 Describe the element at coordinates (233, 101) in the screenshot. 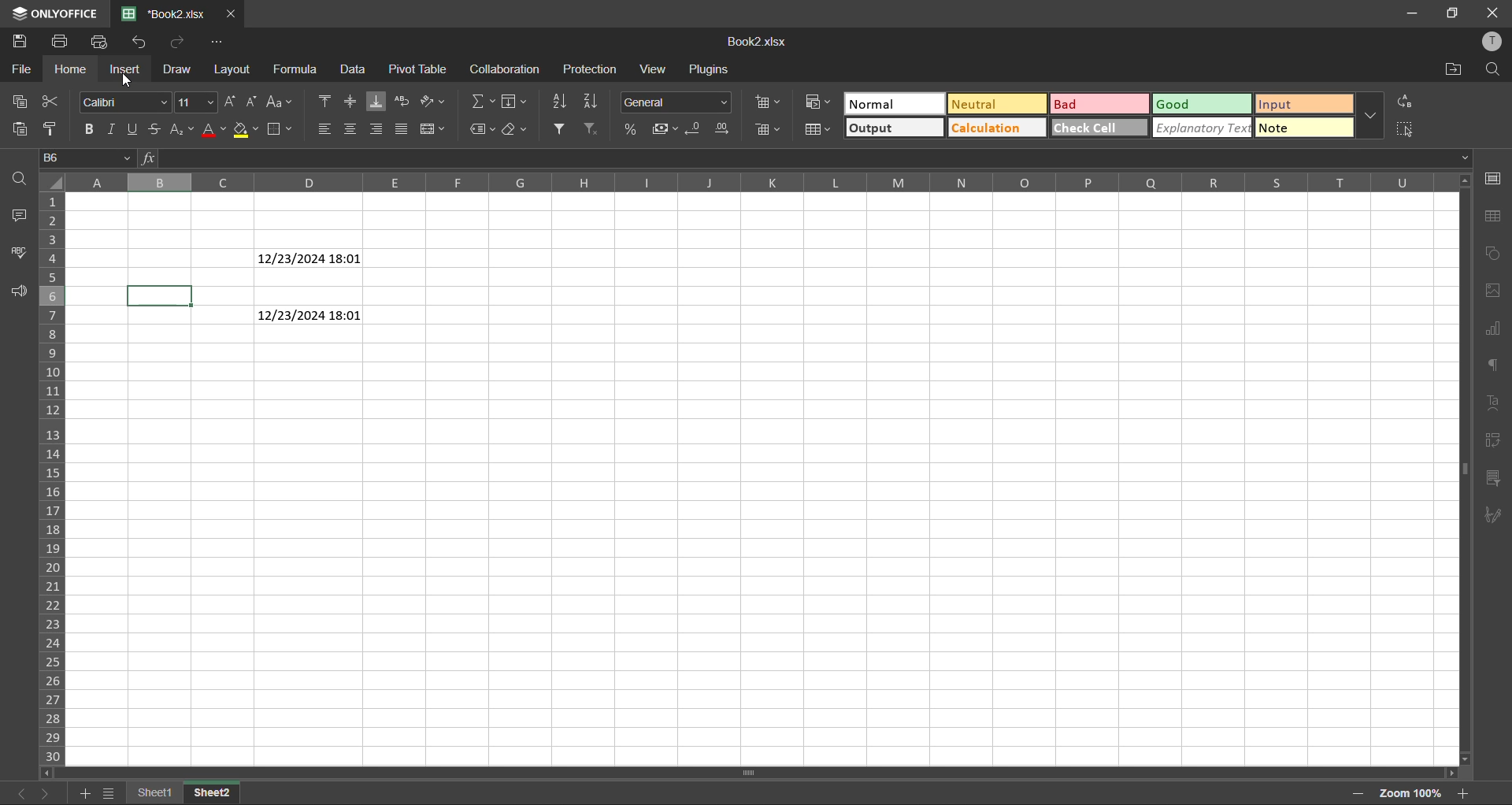

I see `increment size` at that location.